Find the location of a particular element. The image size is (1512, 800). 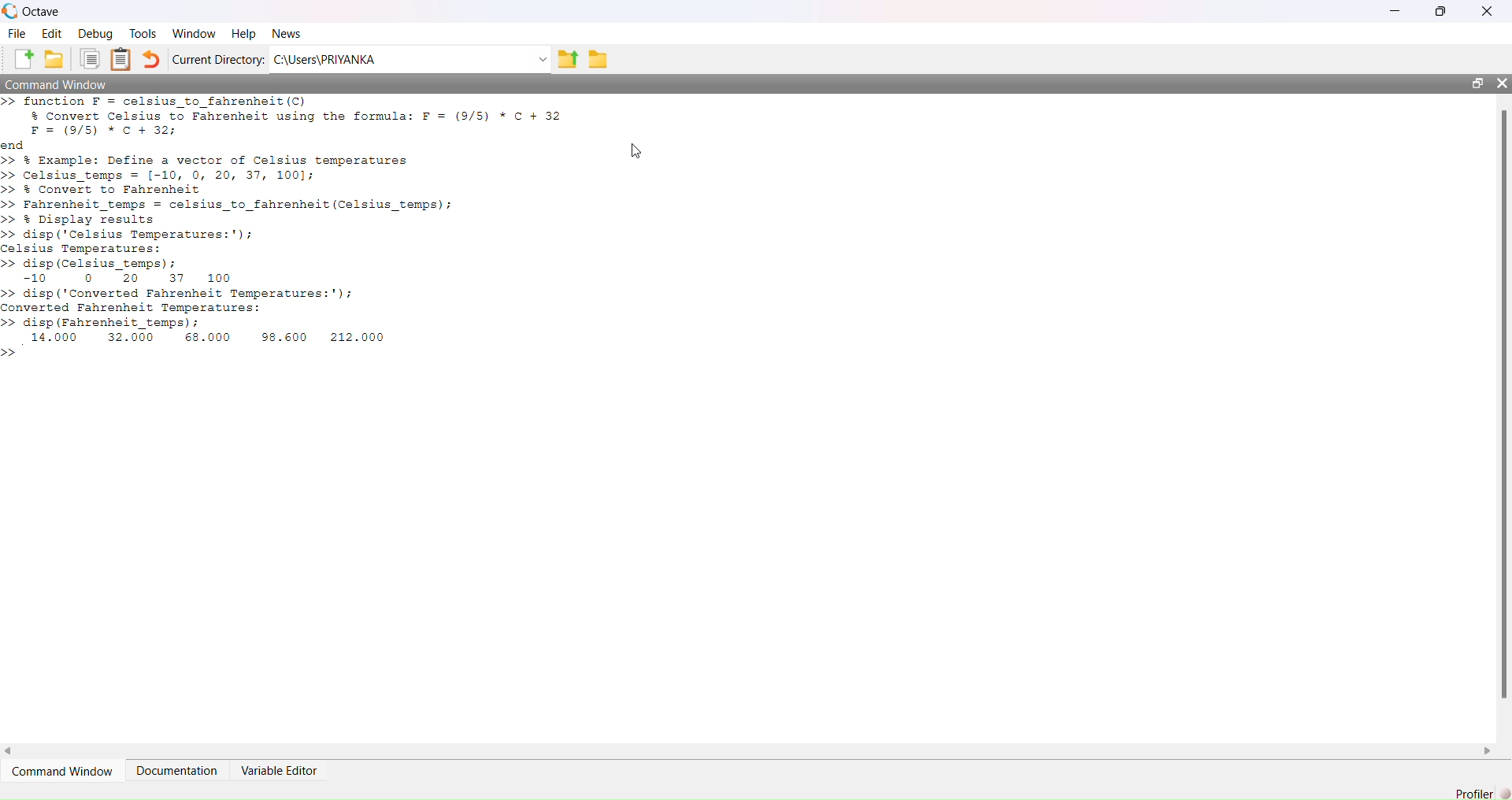

horizontal scroll bar is located at coordinates (747, 750).